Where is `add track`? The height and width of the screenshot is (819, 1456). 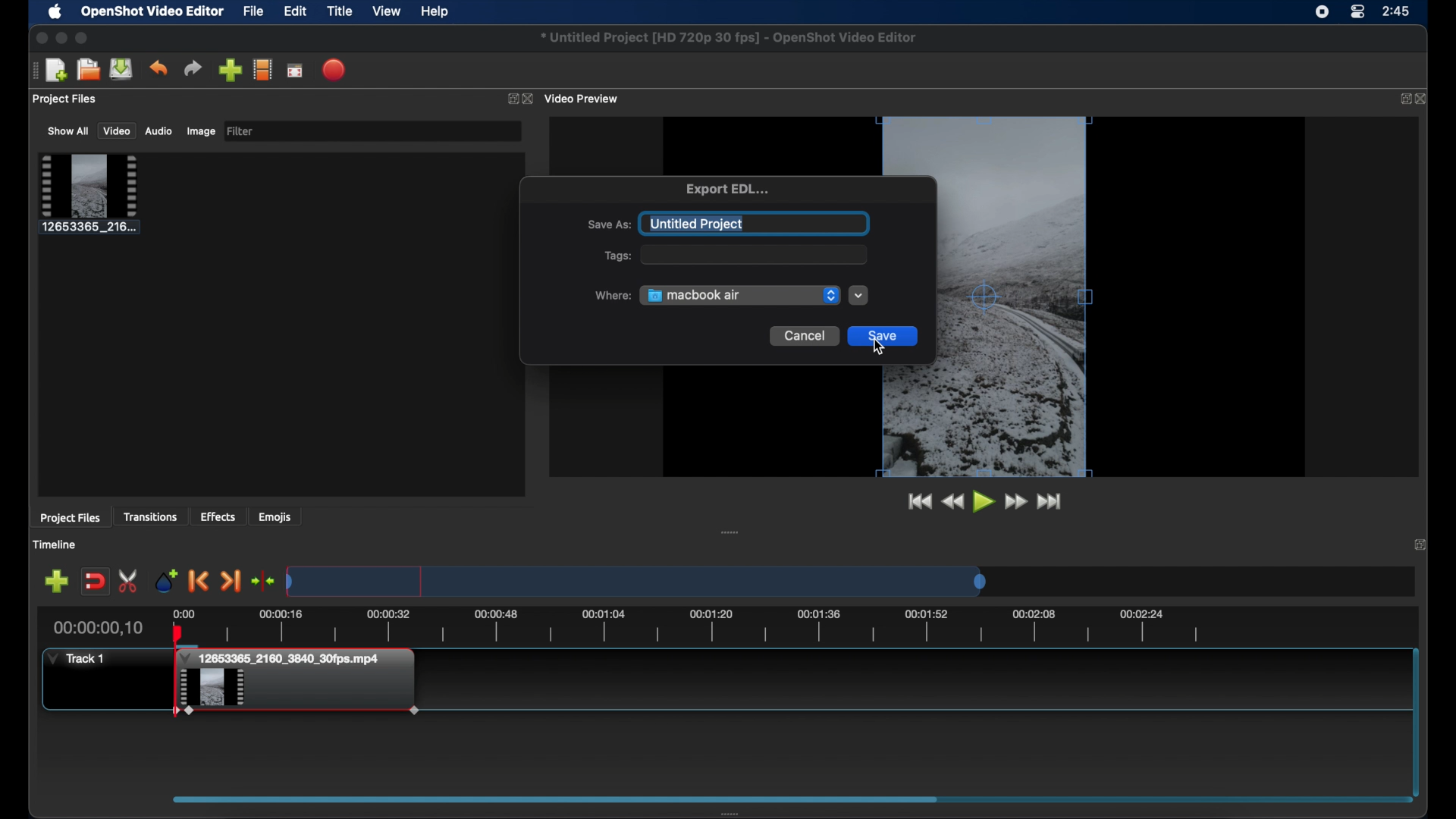
add track is located at coordinates (56, 582).